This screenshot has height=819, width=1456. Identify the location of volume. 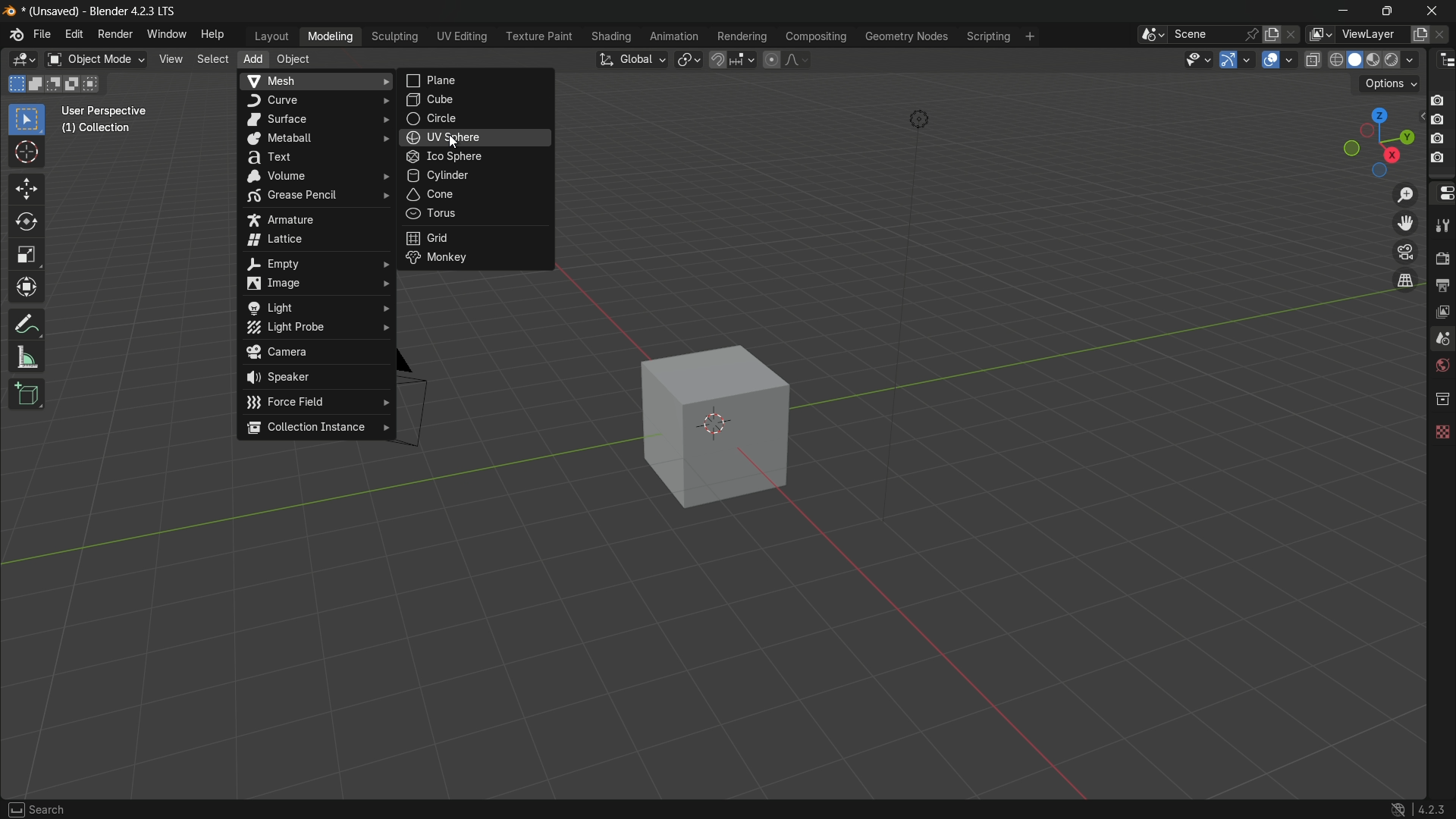
(315, 177).